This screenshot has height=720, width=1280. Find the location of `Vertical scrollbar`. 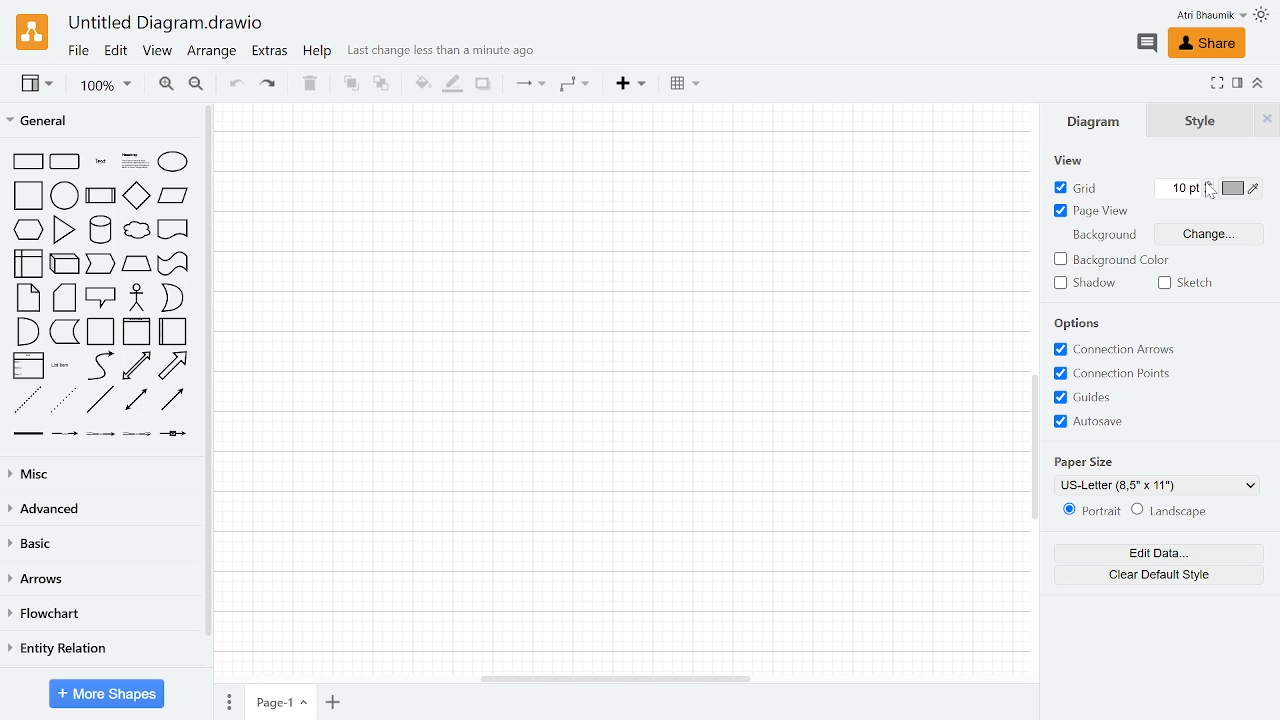

Vertical scrollbar is located at coordinates (1035, 445).